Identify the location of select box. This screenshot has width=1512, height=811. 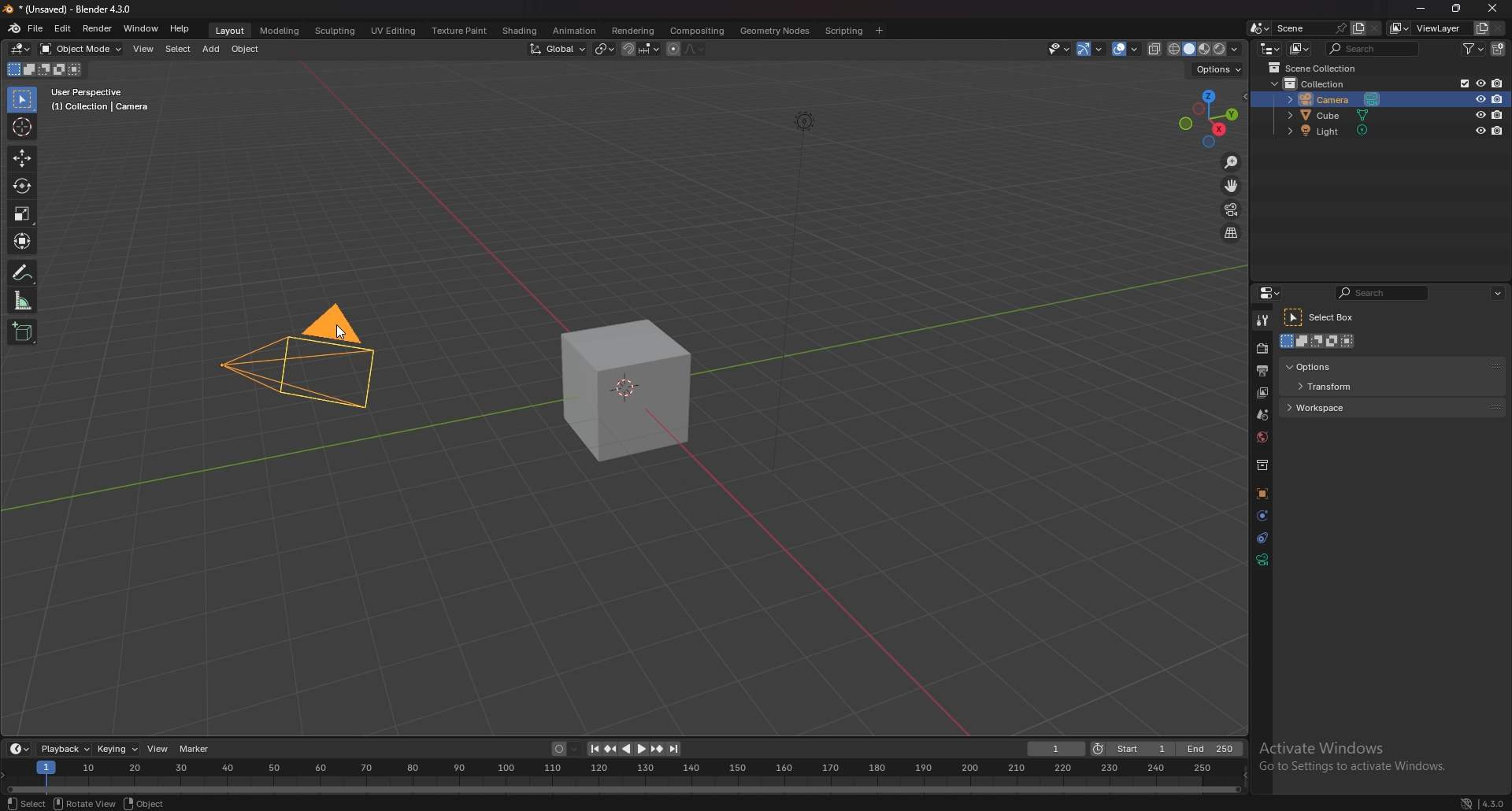
(1322, 317).